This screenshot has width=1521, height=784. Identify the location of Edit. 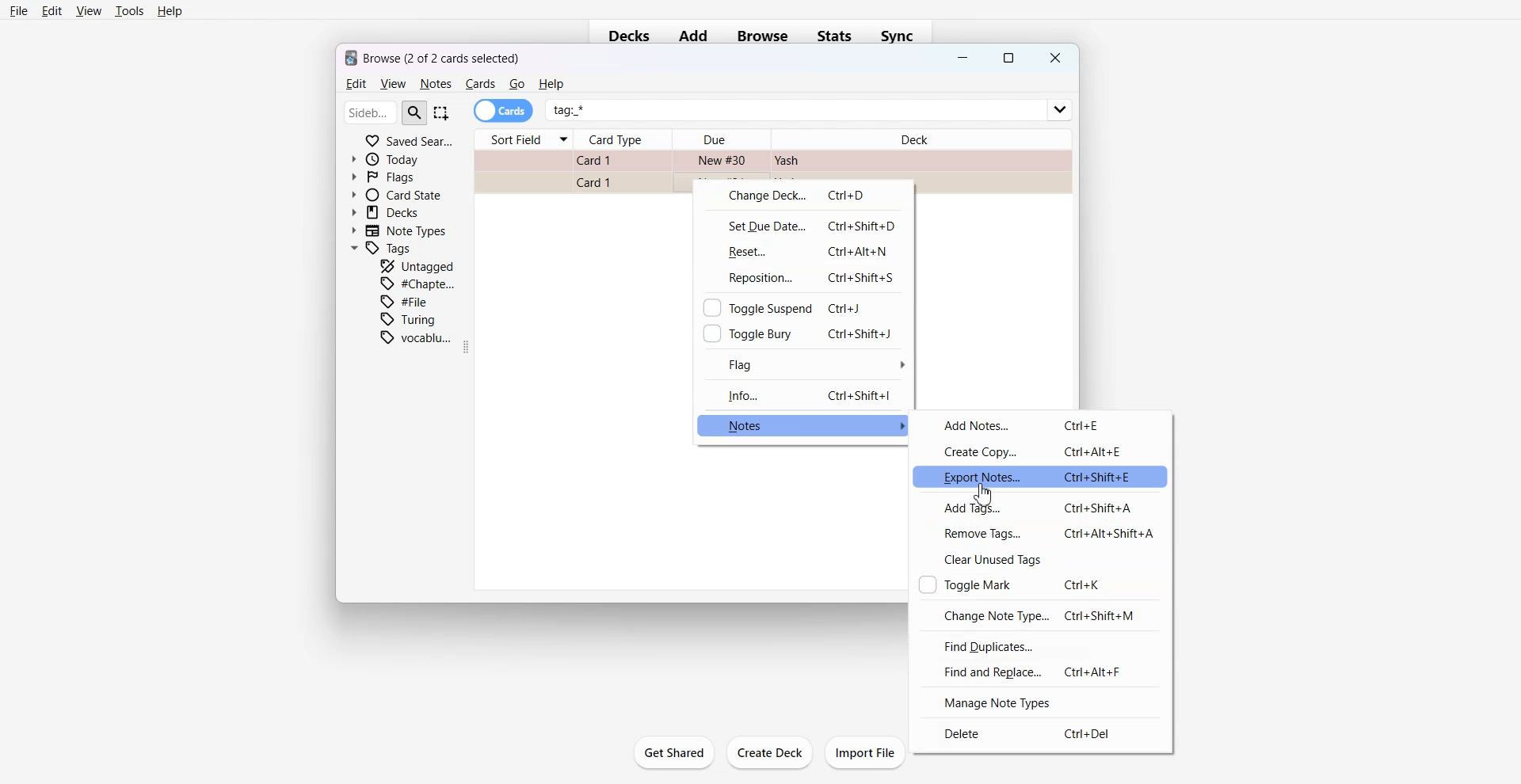
(354, 84).